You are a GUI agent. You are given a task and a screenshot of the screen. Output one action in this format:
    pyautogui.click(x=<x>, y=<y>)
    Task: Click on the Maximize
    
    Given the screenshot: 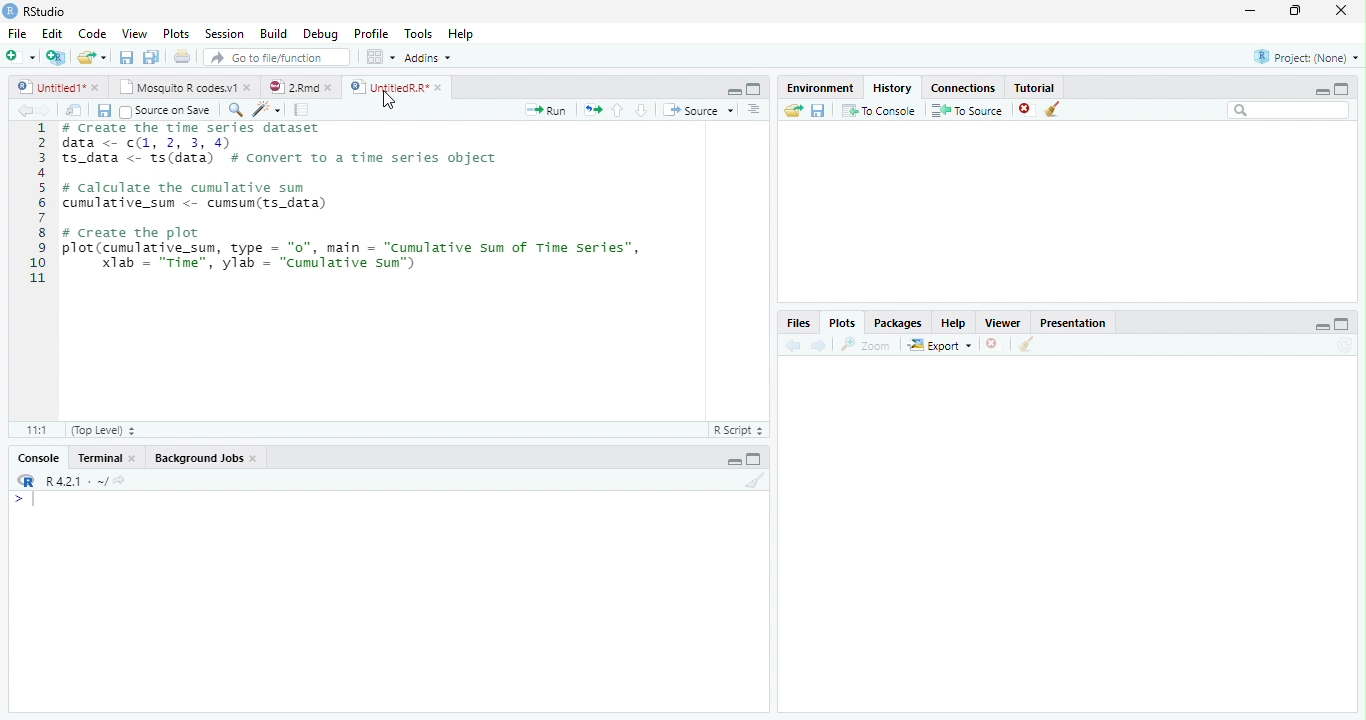 What is the action you would take?
    pyautogui.click(x=1342, y=90)
    